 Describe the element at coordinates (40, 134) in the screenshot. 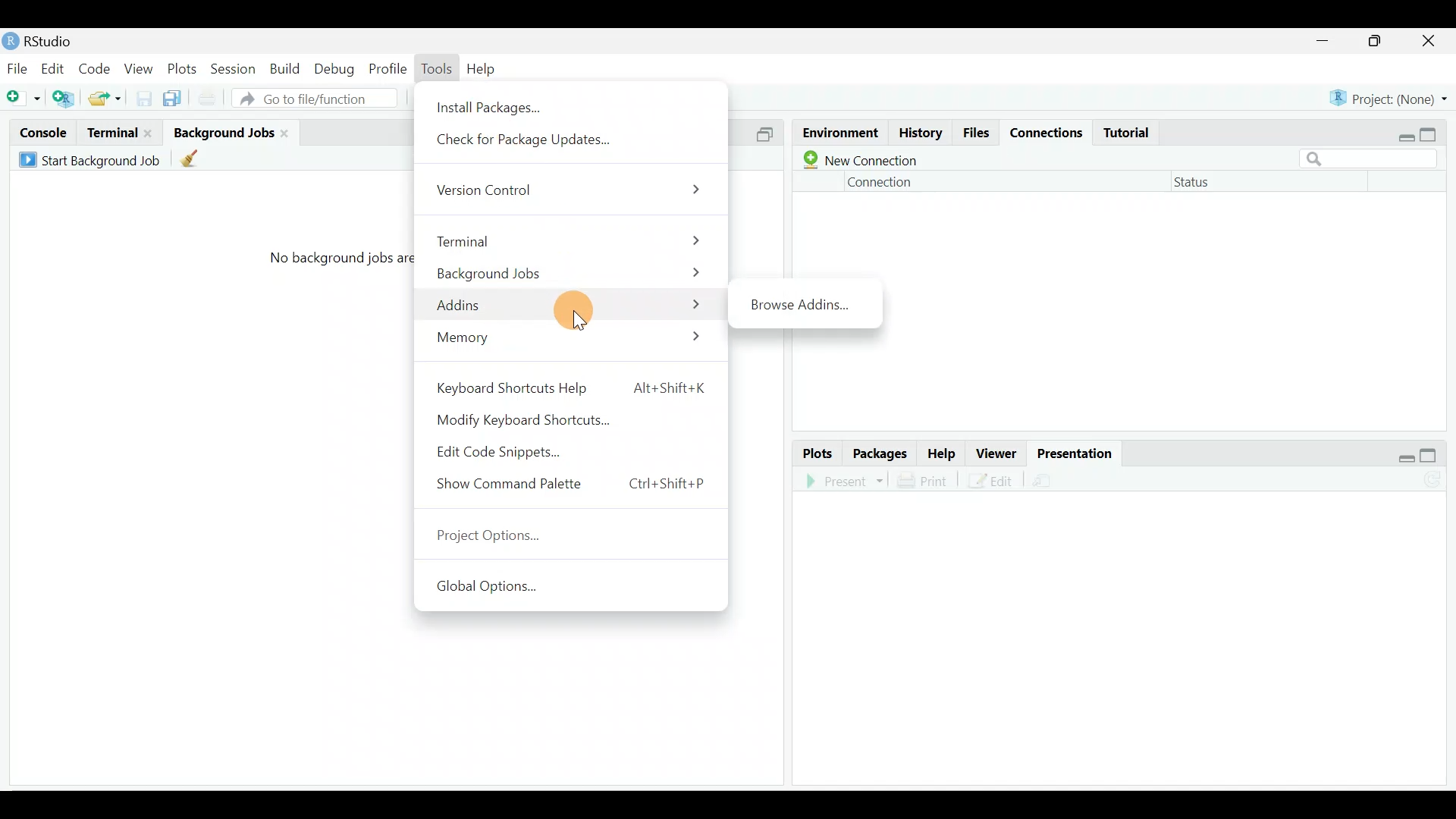

I see `Console` at that location.